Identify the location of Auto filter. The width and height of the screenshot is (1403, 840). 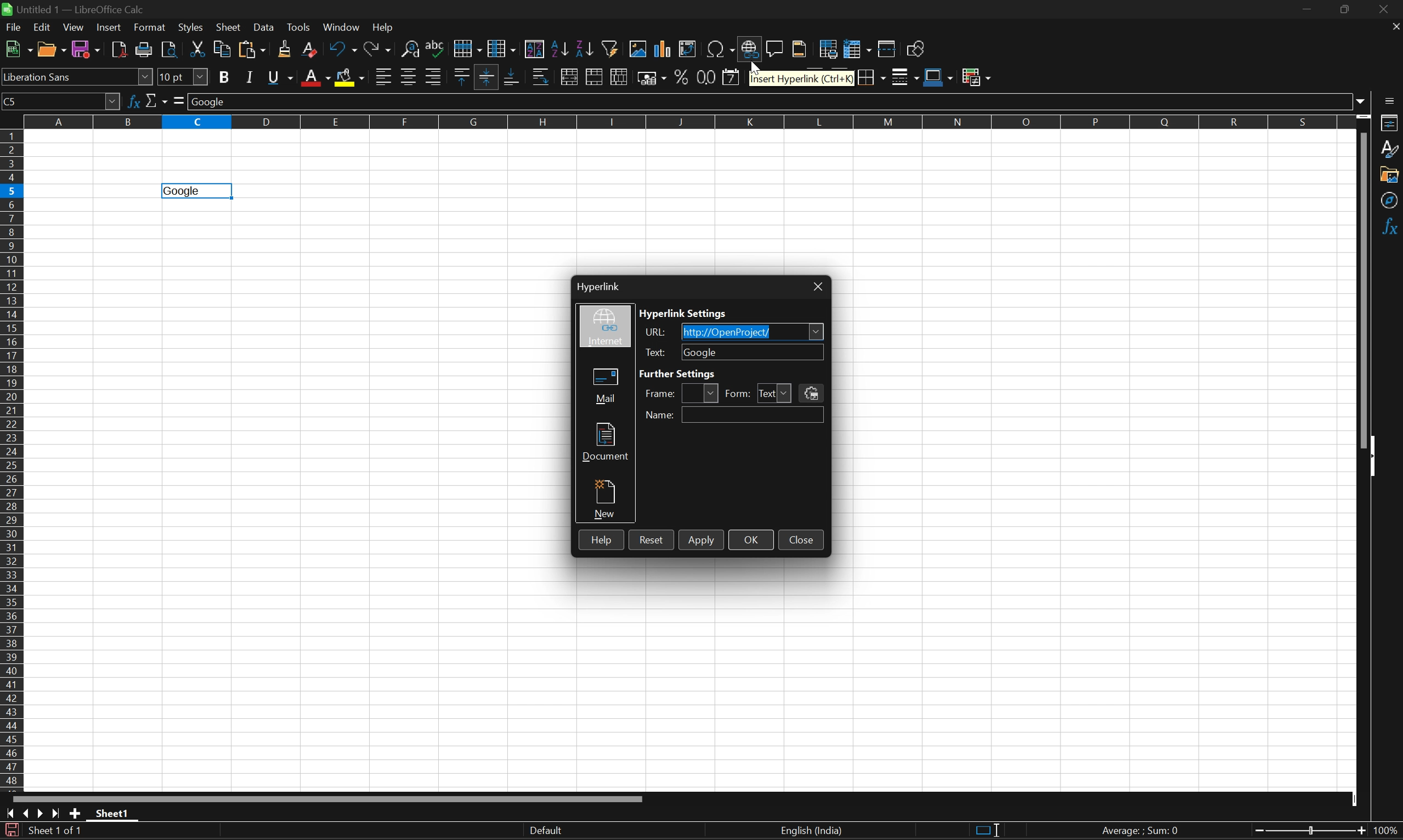
(613, 47).